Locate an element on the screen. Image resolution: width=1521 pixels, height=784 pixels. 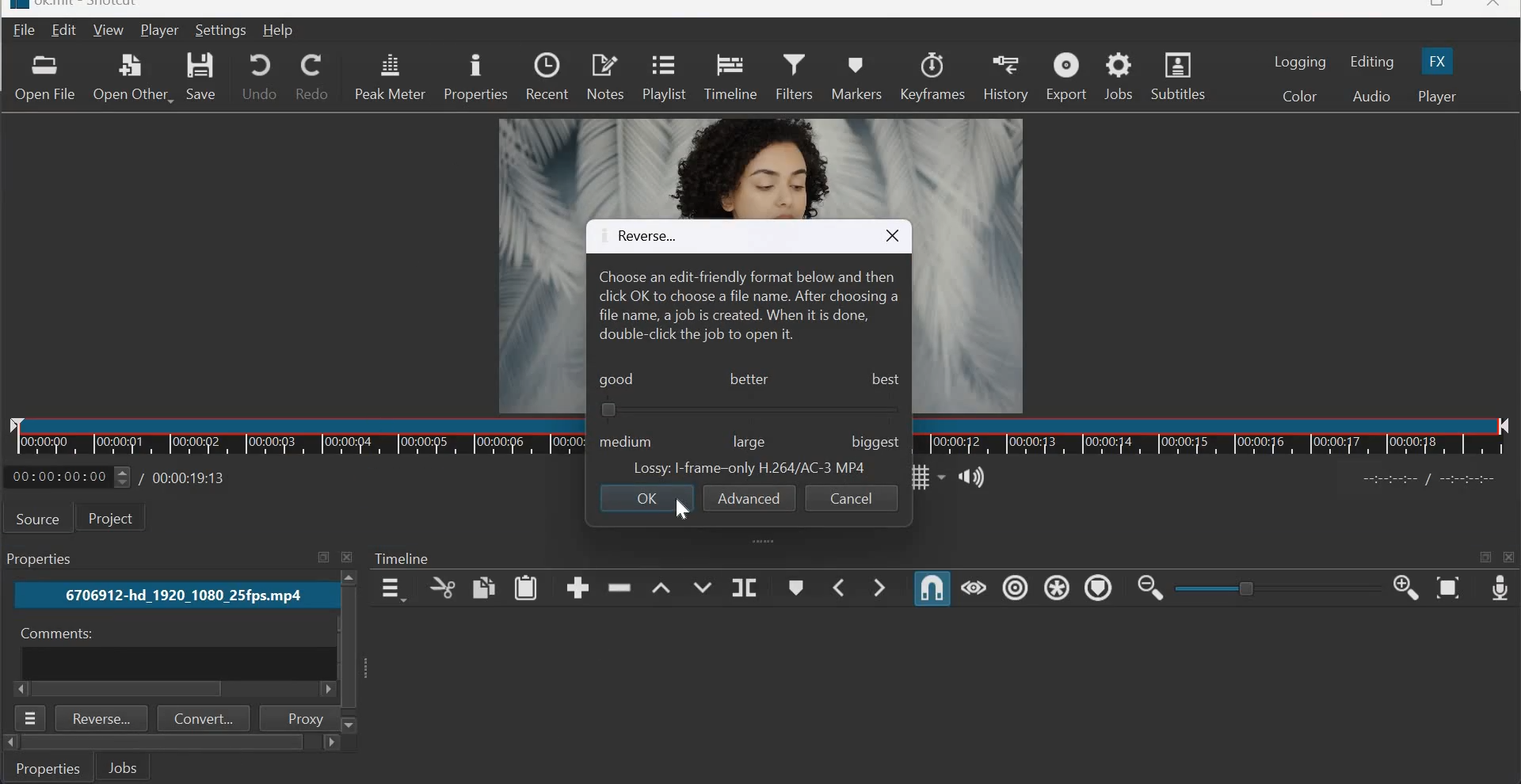
cancel is located at coordinates (850, 498).